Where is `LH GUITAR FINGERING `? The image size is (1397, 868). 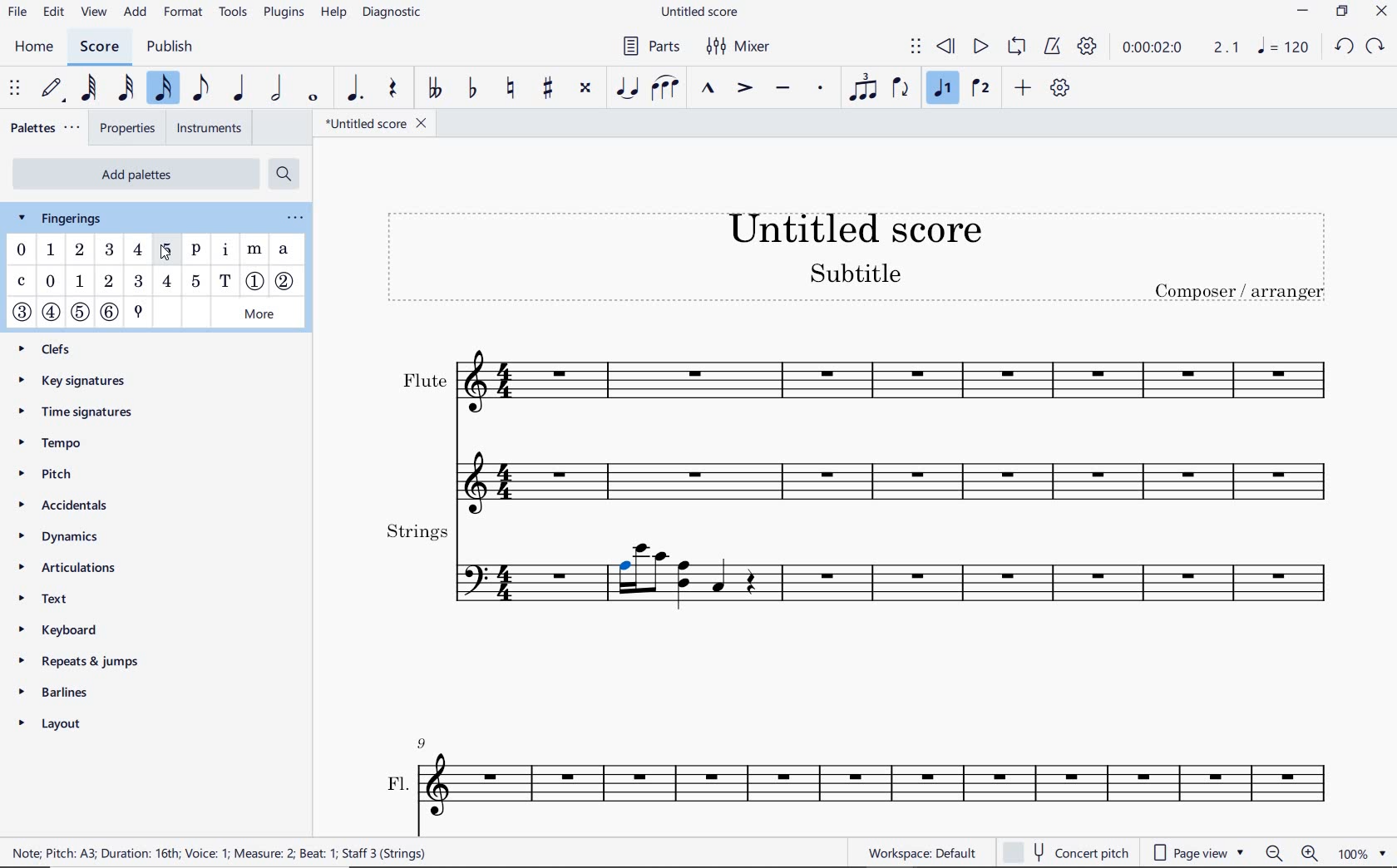 LH GUITAR FINGERING  is located at coordinates (108, 281).